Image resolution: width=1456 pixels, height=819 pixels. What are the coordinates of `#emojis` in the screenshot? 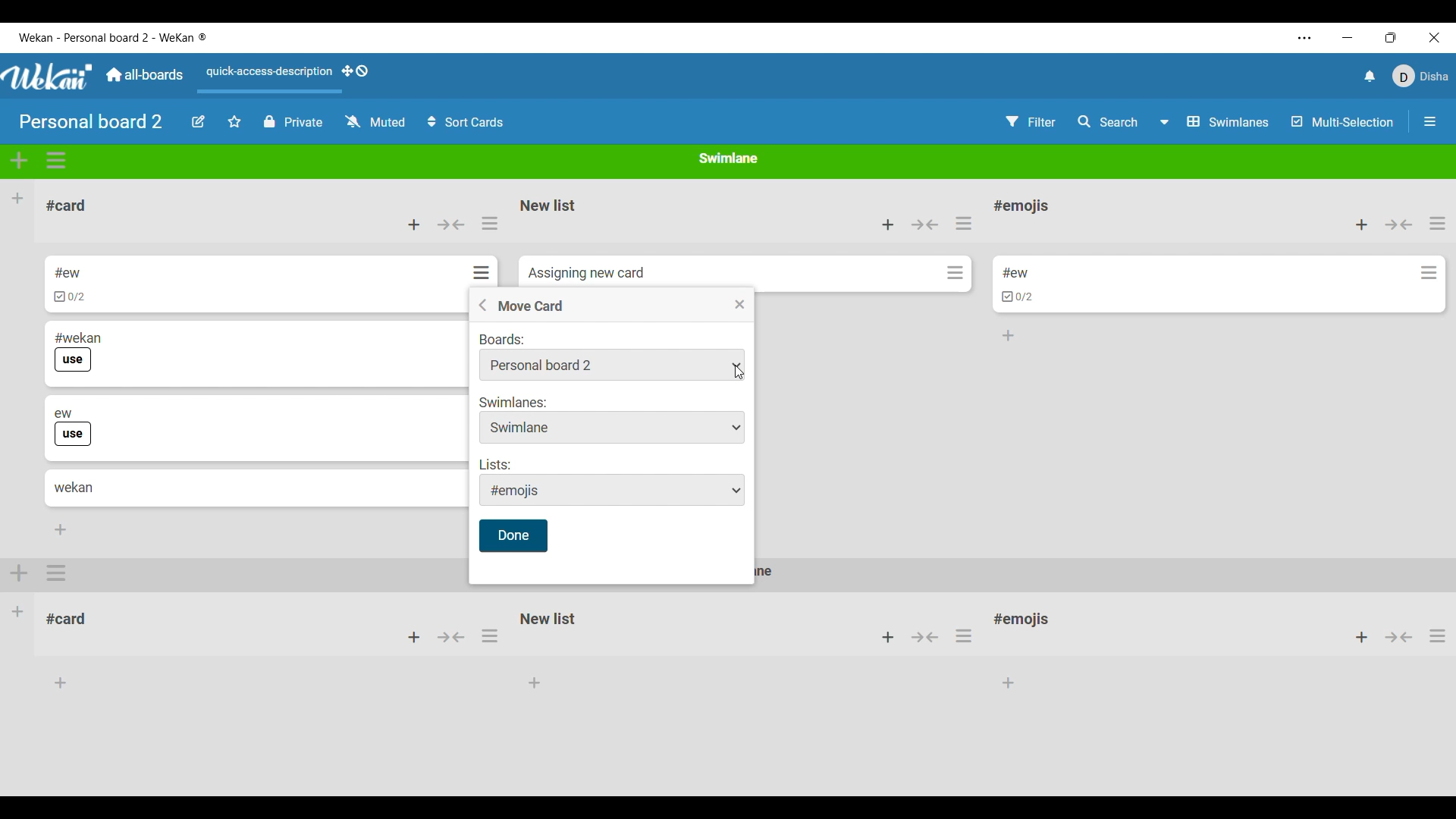 It's located at (1027, 623).